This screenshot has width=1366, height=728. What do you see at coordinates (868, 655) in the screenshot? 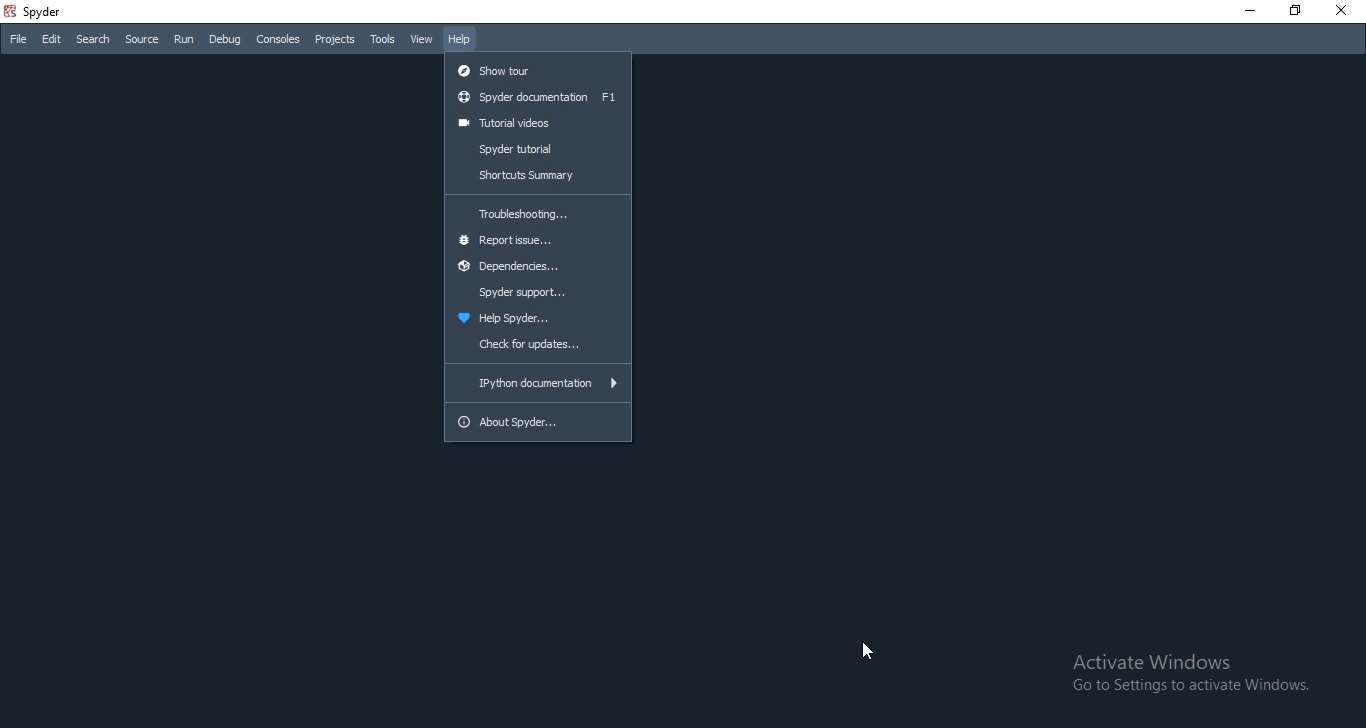
I see `cursor` at bounding box center [868, 655].